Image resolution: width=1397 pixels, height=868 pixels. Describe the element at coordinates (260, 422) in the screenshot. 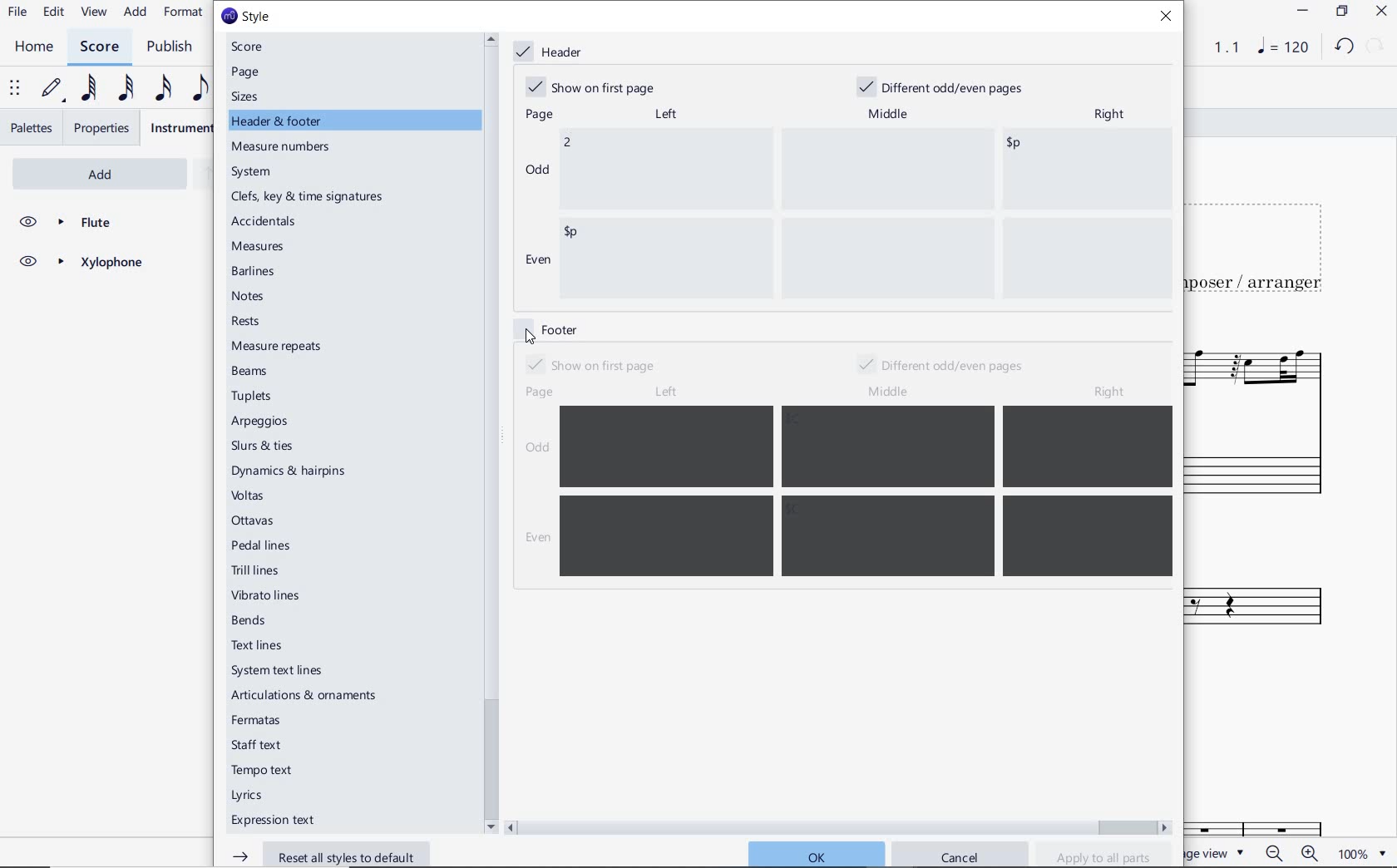

I see `arpeggios` at that location.